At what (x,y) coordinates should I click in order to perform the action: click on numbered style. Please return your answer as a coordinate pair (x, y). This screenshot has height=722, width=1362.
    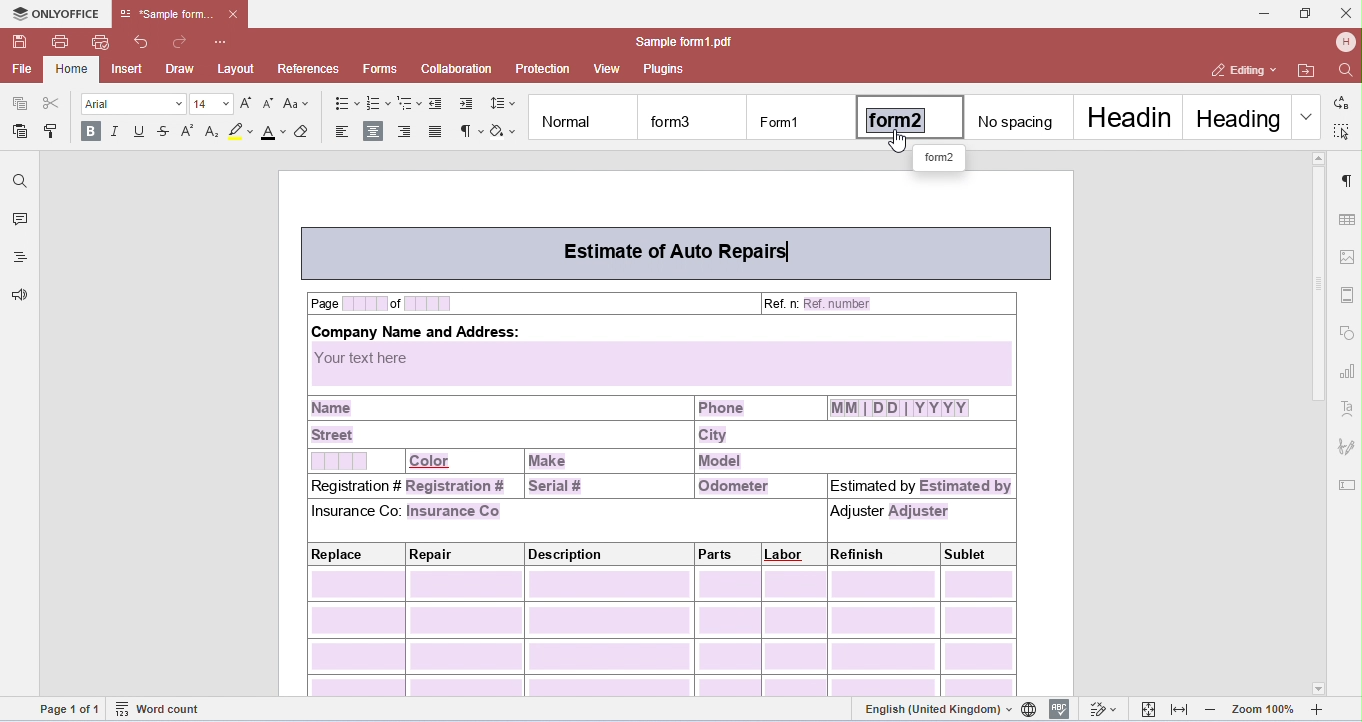
    Looking at the image, I should click on (379, 103).